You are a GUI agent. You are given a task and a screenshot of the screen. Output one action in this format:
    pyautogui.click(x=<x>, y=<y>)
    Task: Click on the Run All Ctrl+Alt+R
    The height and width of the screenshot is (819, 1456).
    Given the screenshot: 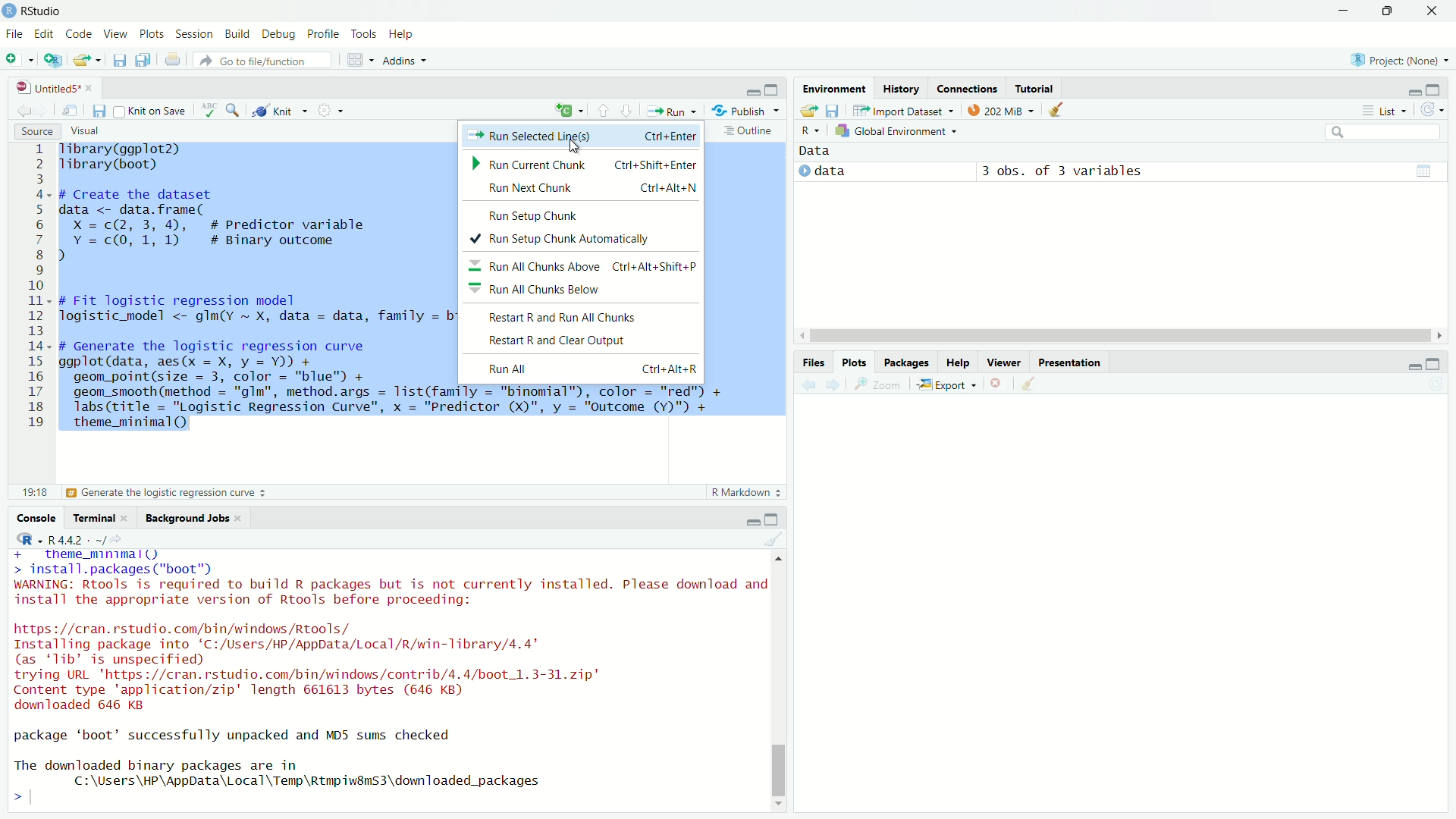 What is the action you would take?
    pyautogui.click(x=582, y=369)
    